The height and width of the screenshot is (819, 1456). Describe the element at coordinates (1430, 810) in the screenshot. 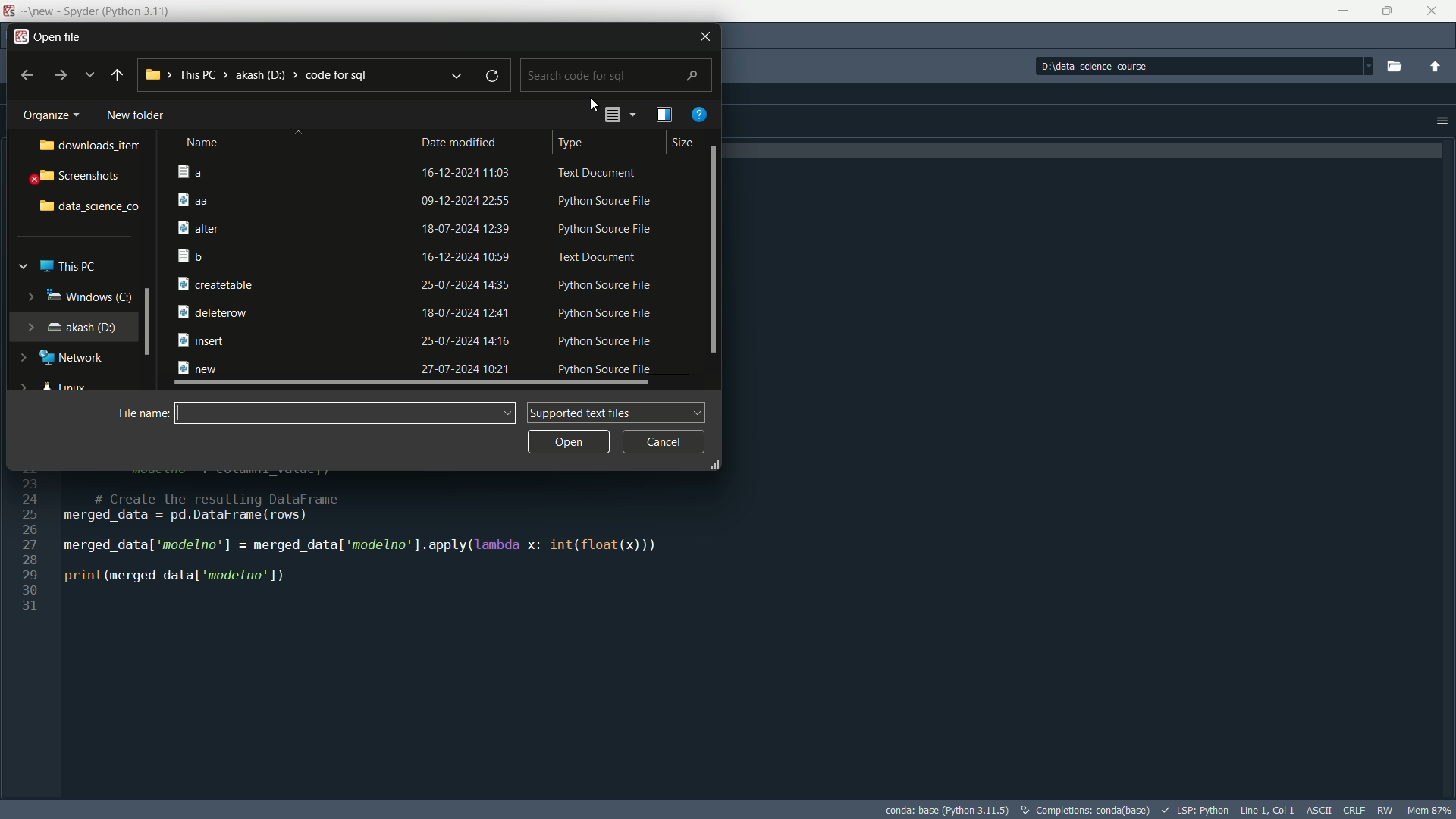

I see `memory usage` at that location.